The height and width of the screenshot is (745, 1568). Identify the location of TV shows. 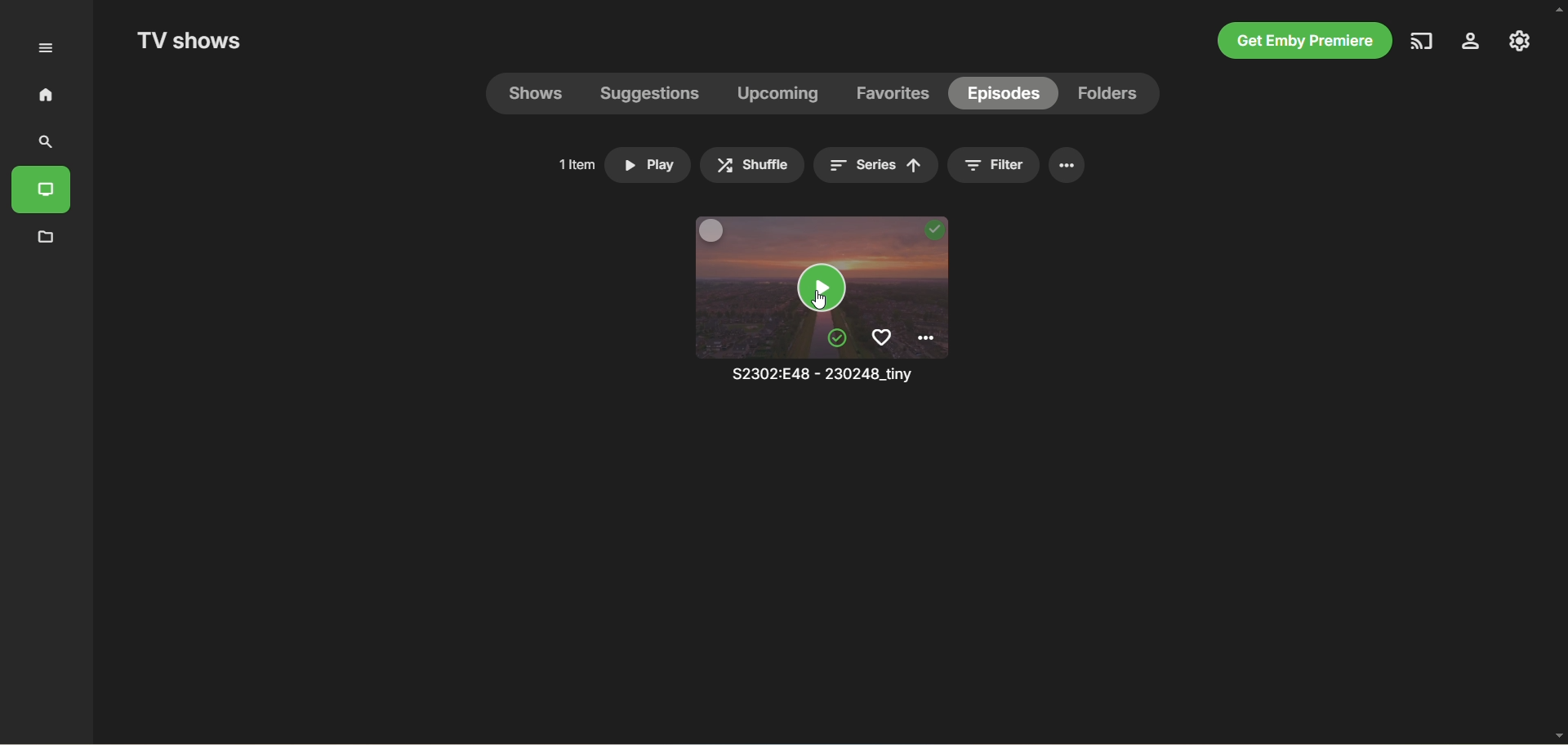
(41, 190).